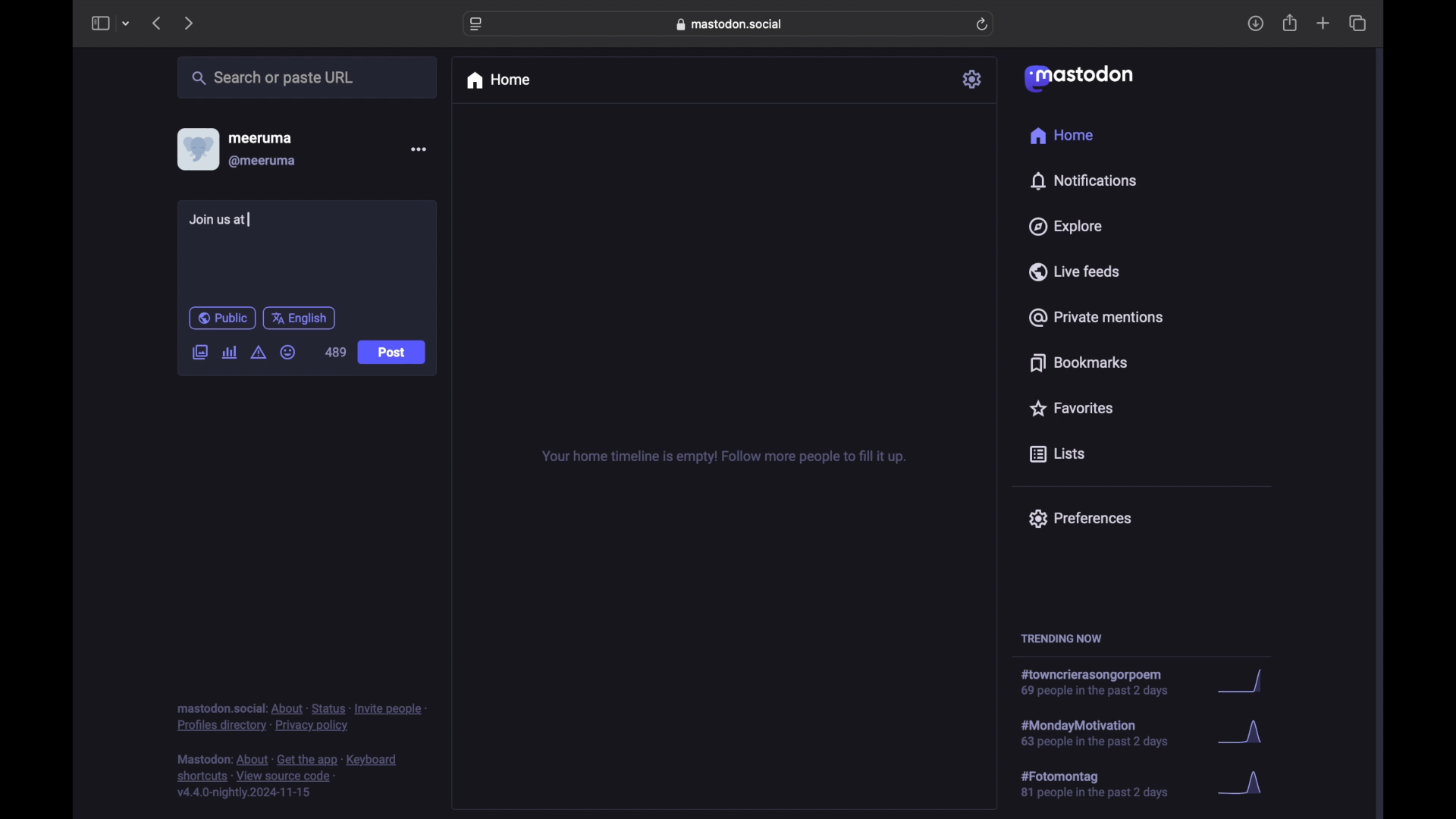 This screenshot has width=1456, height=819. Describe the element at coordinates (1256, 24) in the screenshot. I see `download` at that location.